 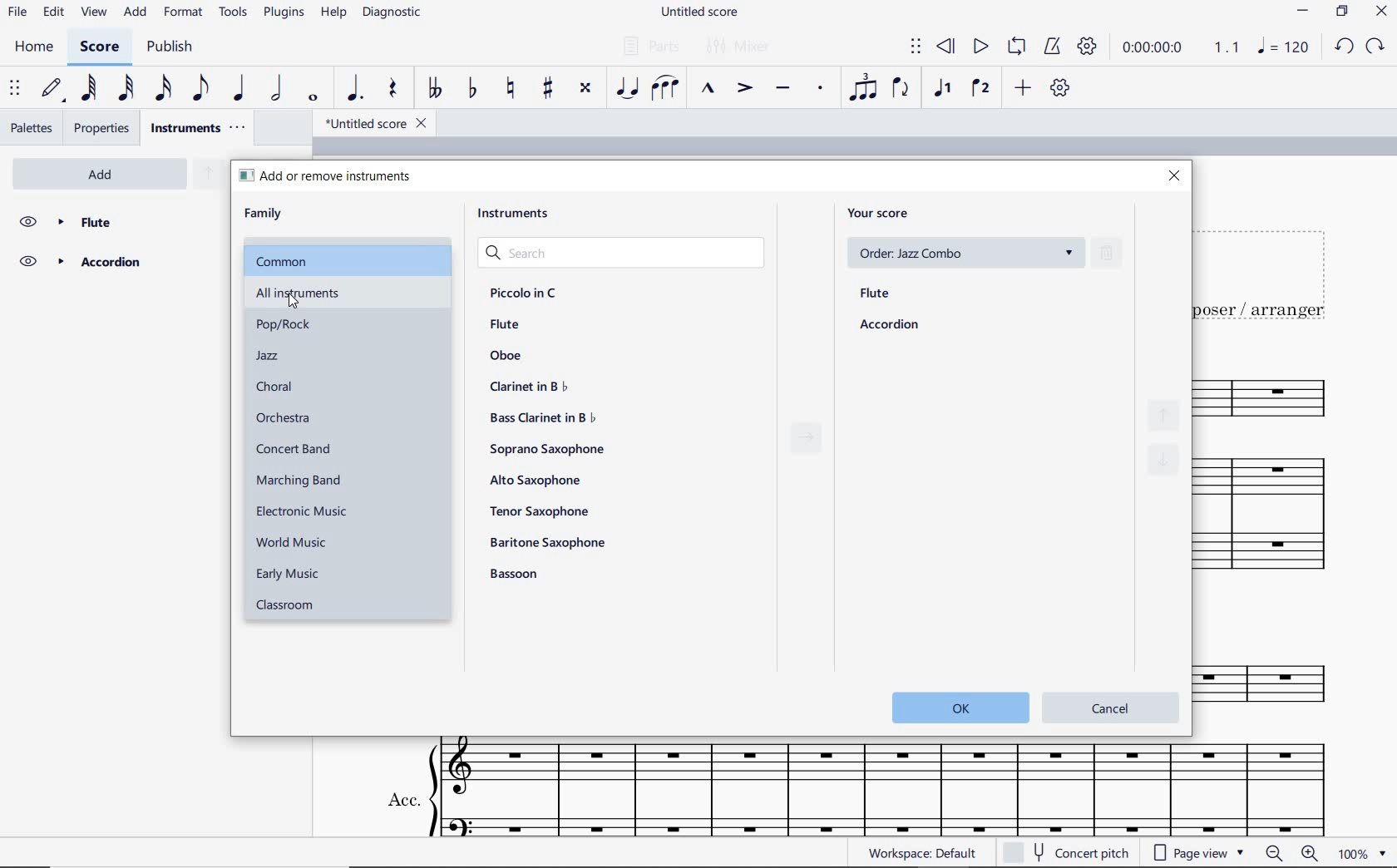 I want to click on clarinet in B, so click(x=528, y=387).